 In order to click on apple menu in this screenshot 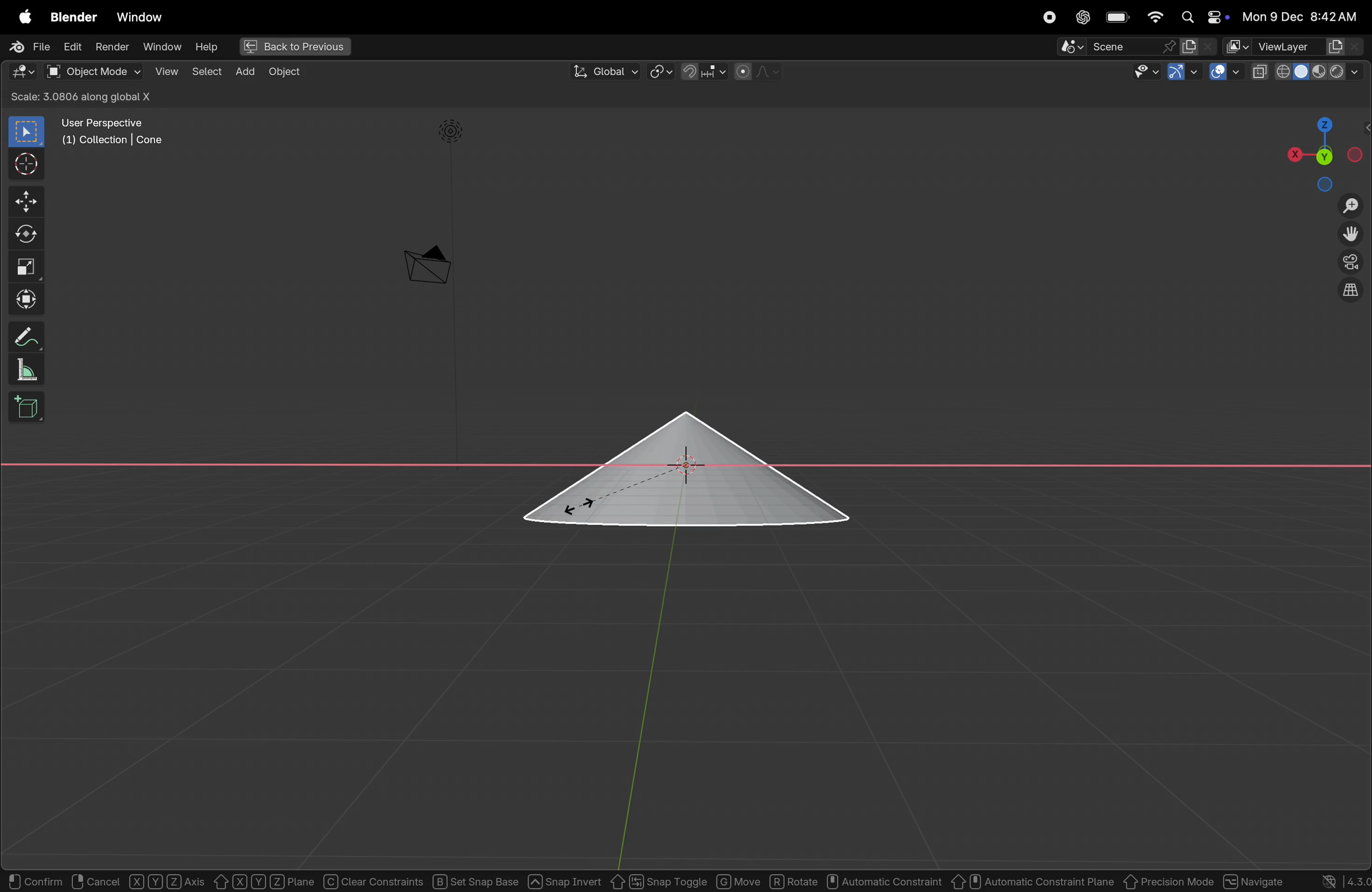, I will do `click(22, 14)`.